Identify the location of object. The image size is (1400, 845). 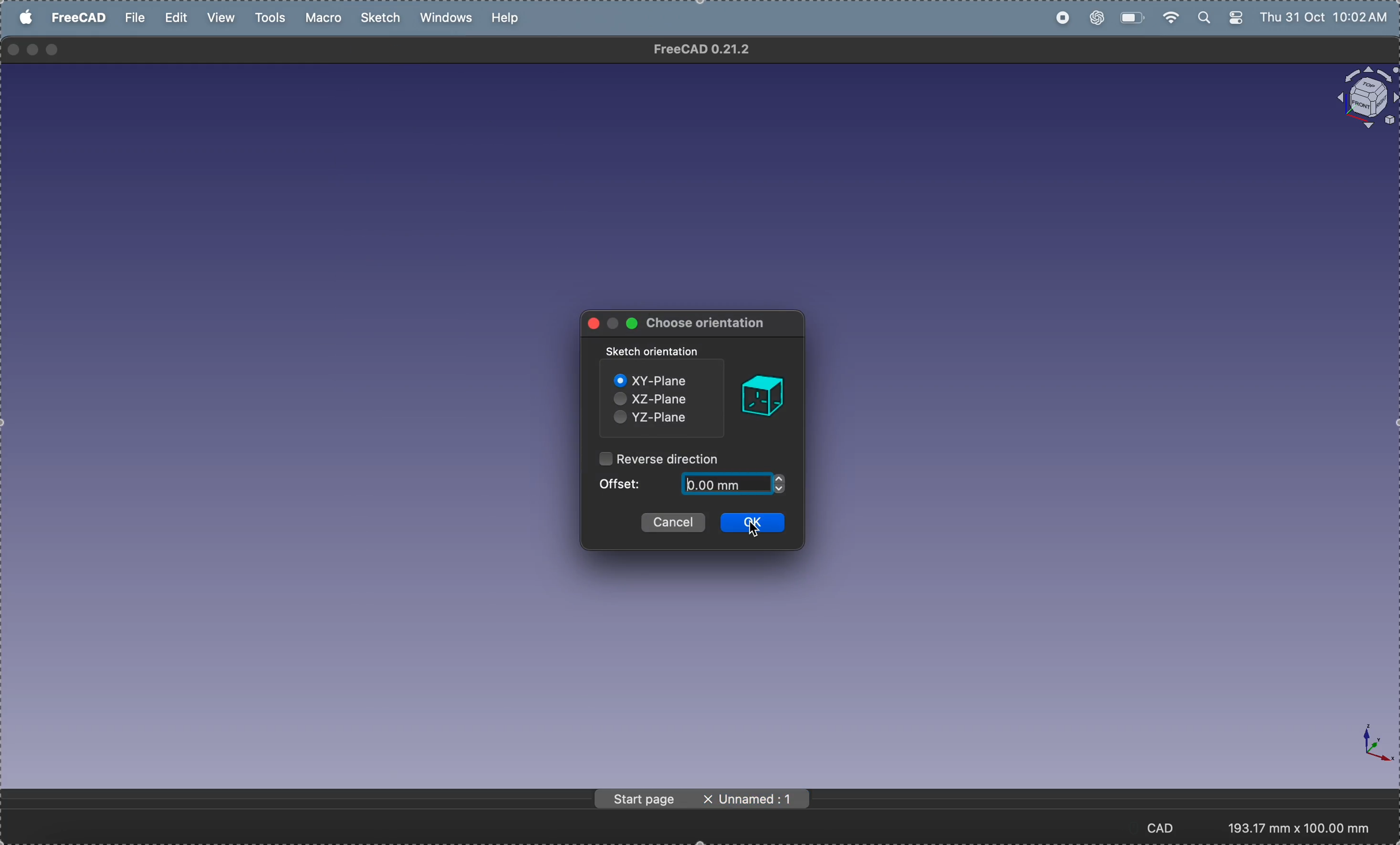
(761, 396).